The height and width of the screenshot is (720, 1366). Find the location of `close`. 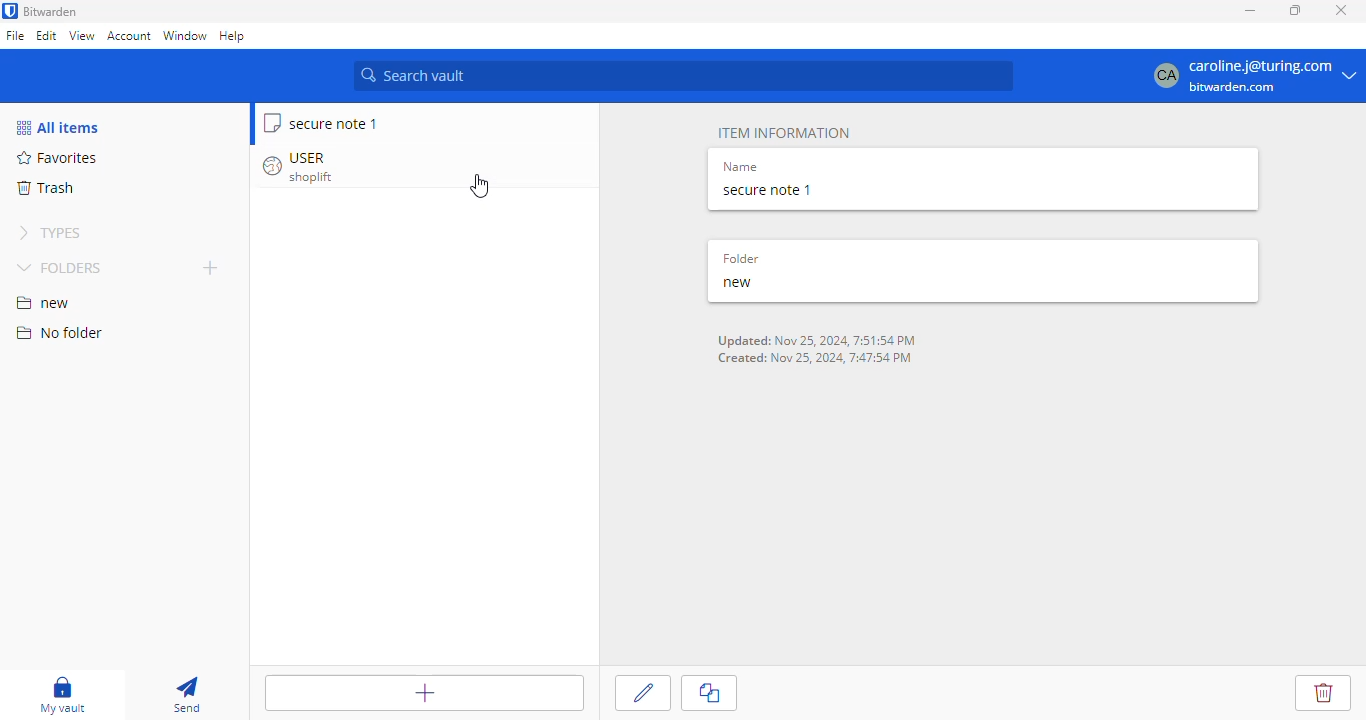

close is located at coordinates (1341, 10).